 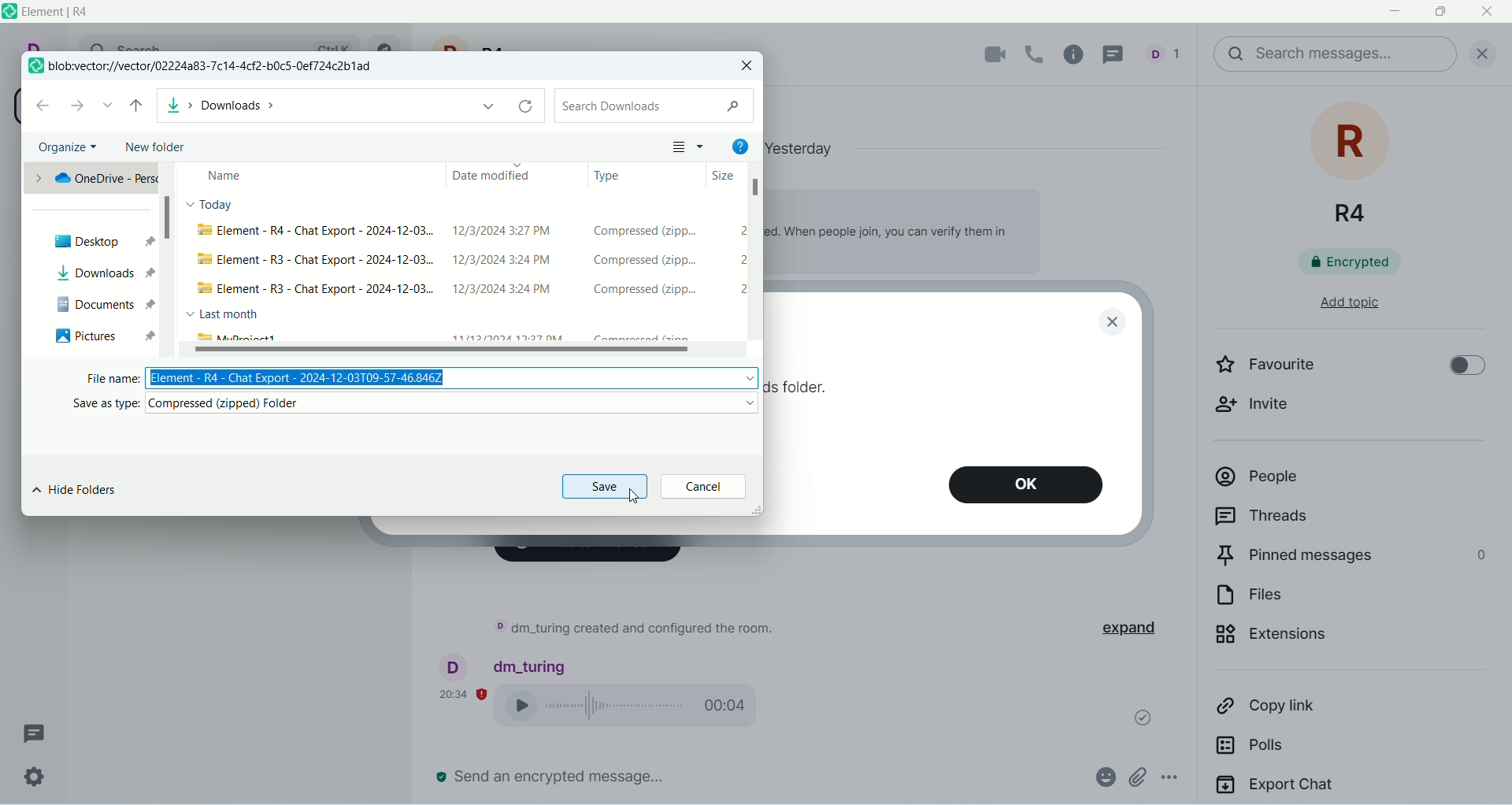 I want to click on downloads, so click(x=102, y=271).